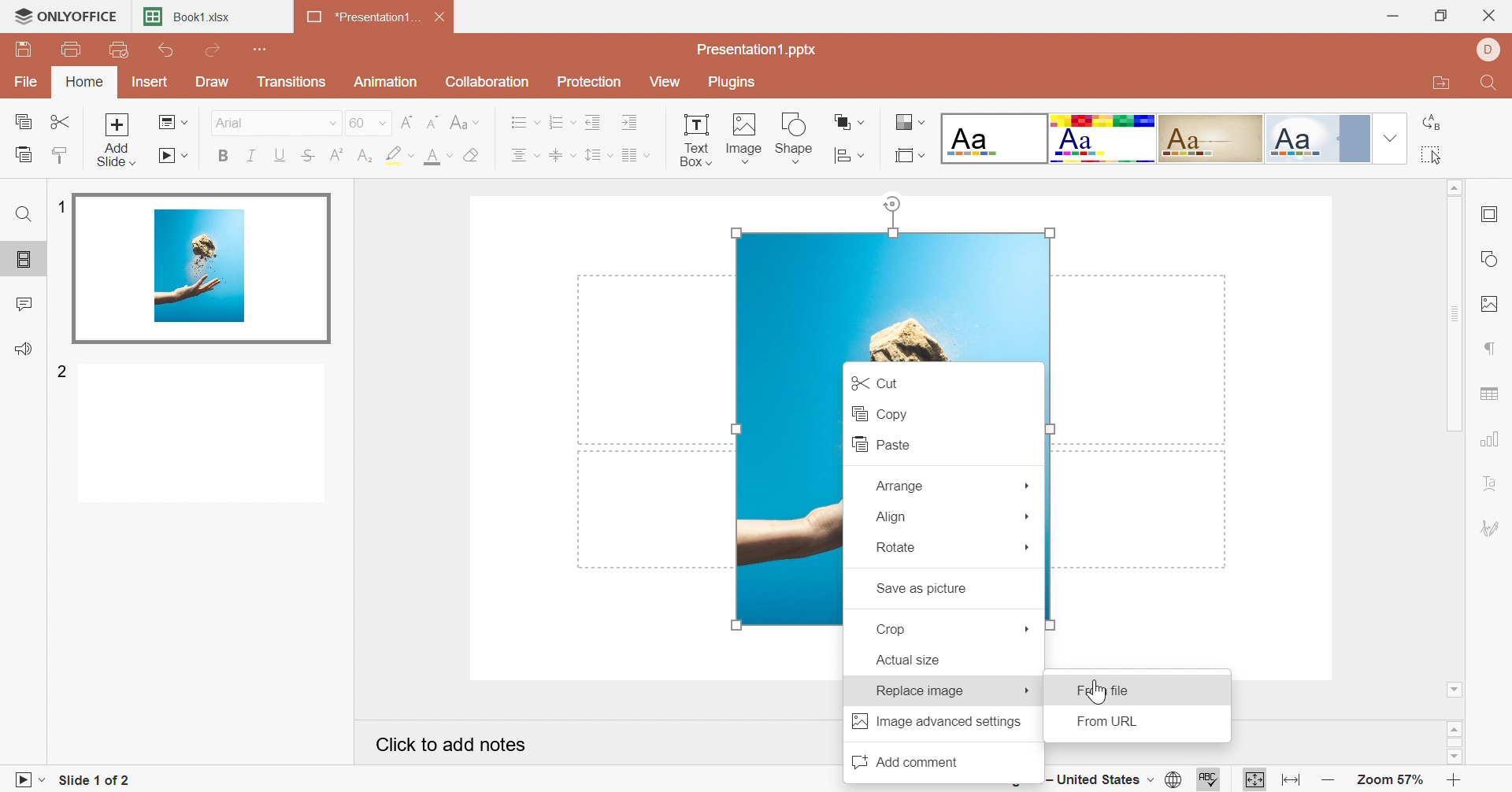 The width and height of the screenshot is (1512, 792). I want to click on Bullets, so click(524, 121).